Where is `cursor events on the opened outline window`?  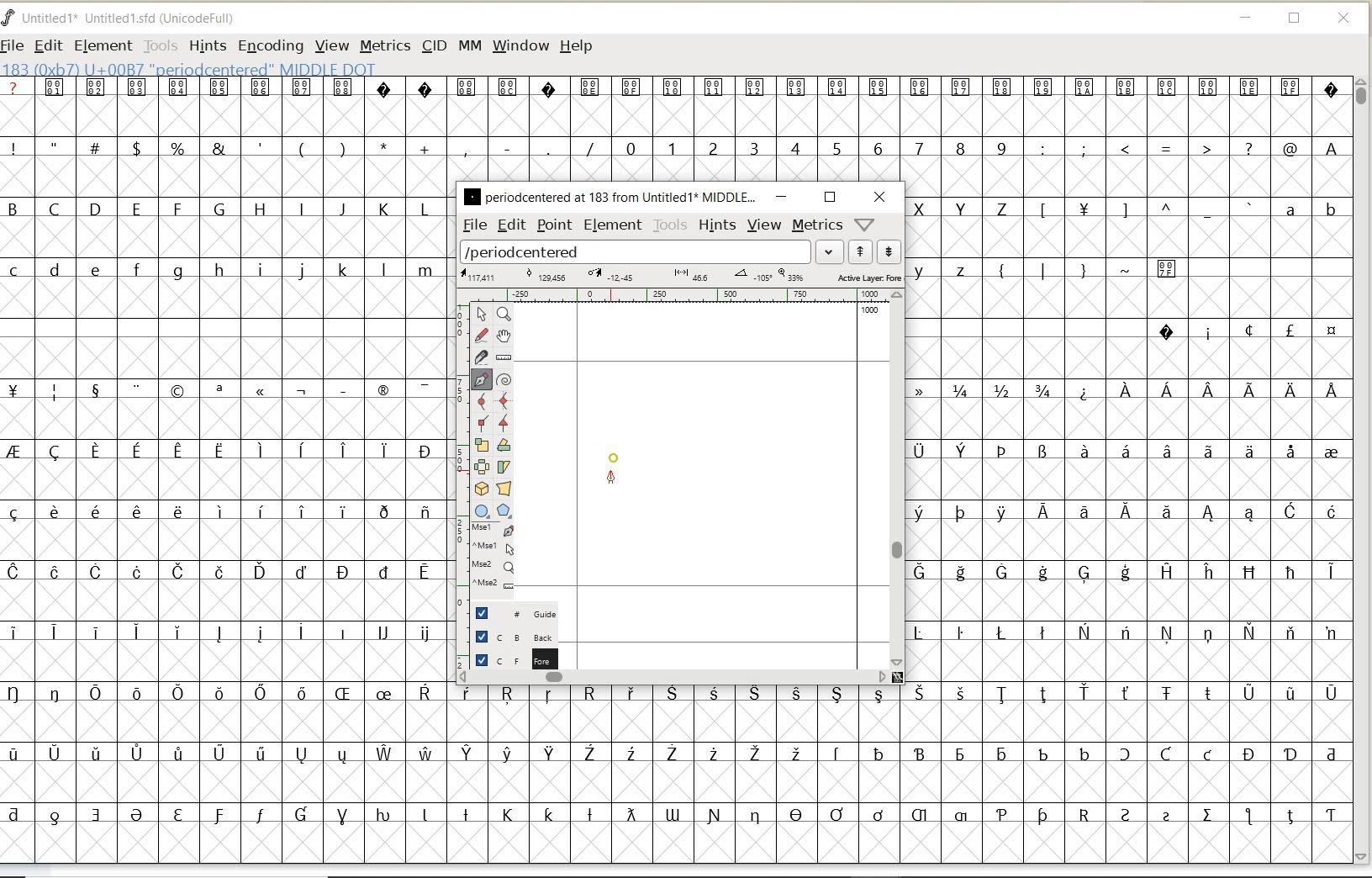
cursor events on the opened outline window is located at coordinates (493, 557).